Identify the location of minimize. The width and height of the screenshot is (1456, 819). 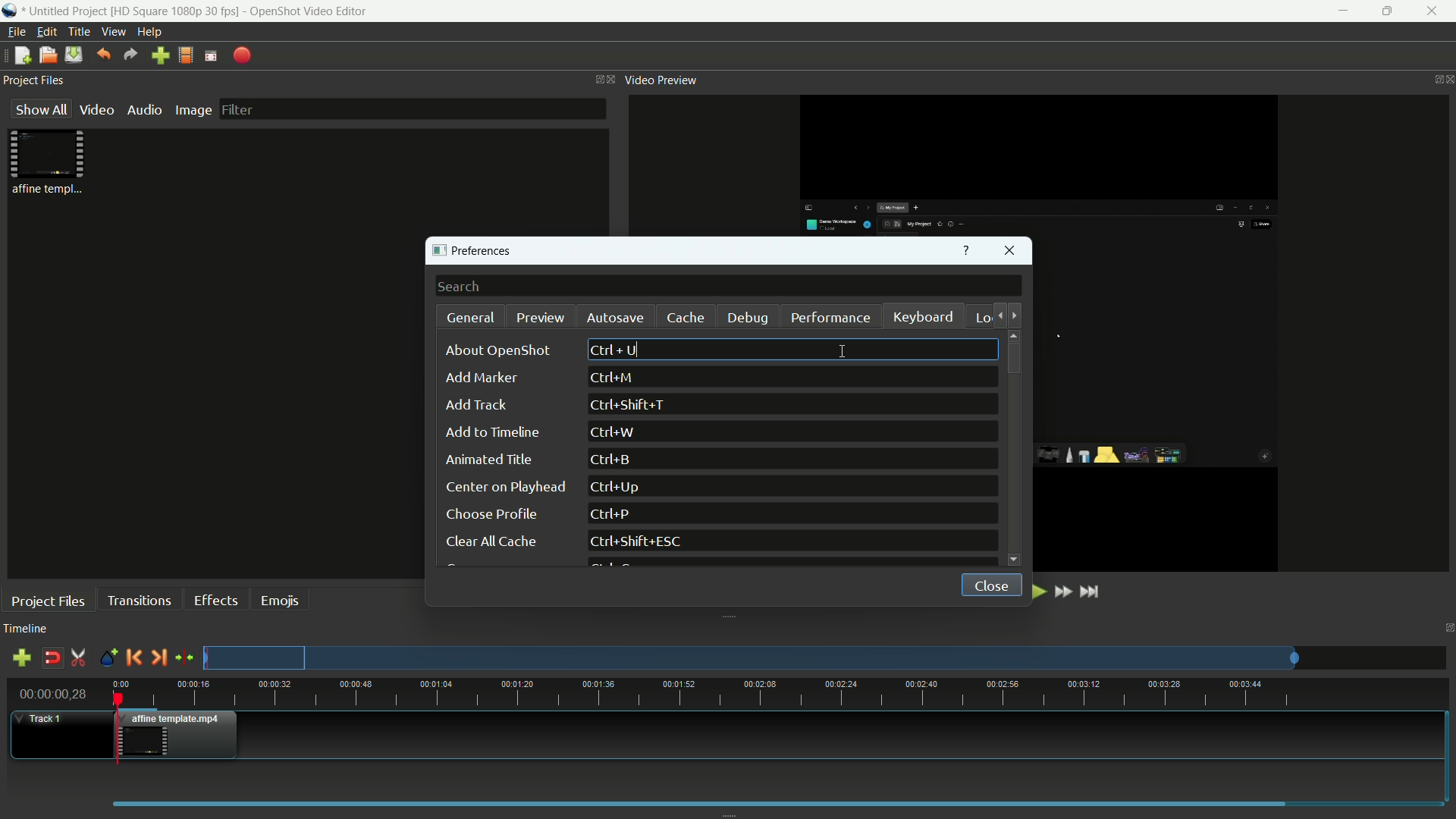
(1339, 11).